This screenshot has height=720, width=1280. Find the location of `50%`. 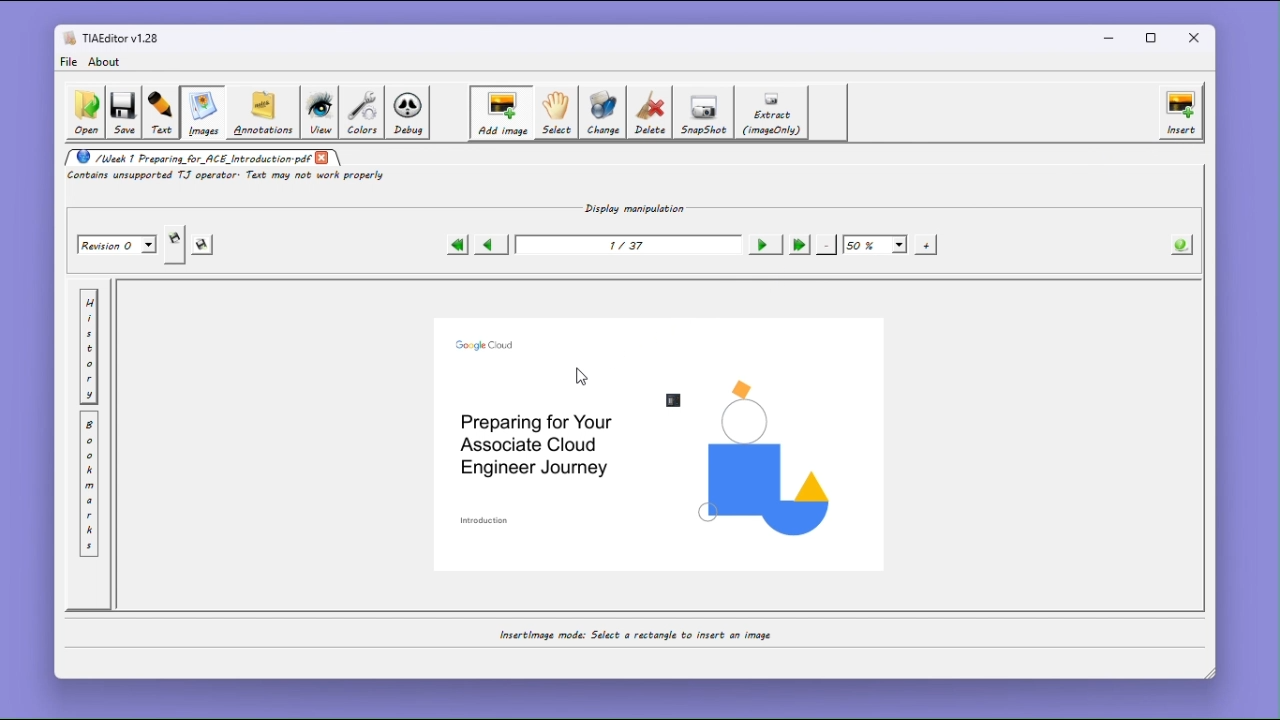

50% is located at coordinates (875, 244).